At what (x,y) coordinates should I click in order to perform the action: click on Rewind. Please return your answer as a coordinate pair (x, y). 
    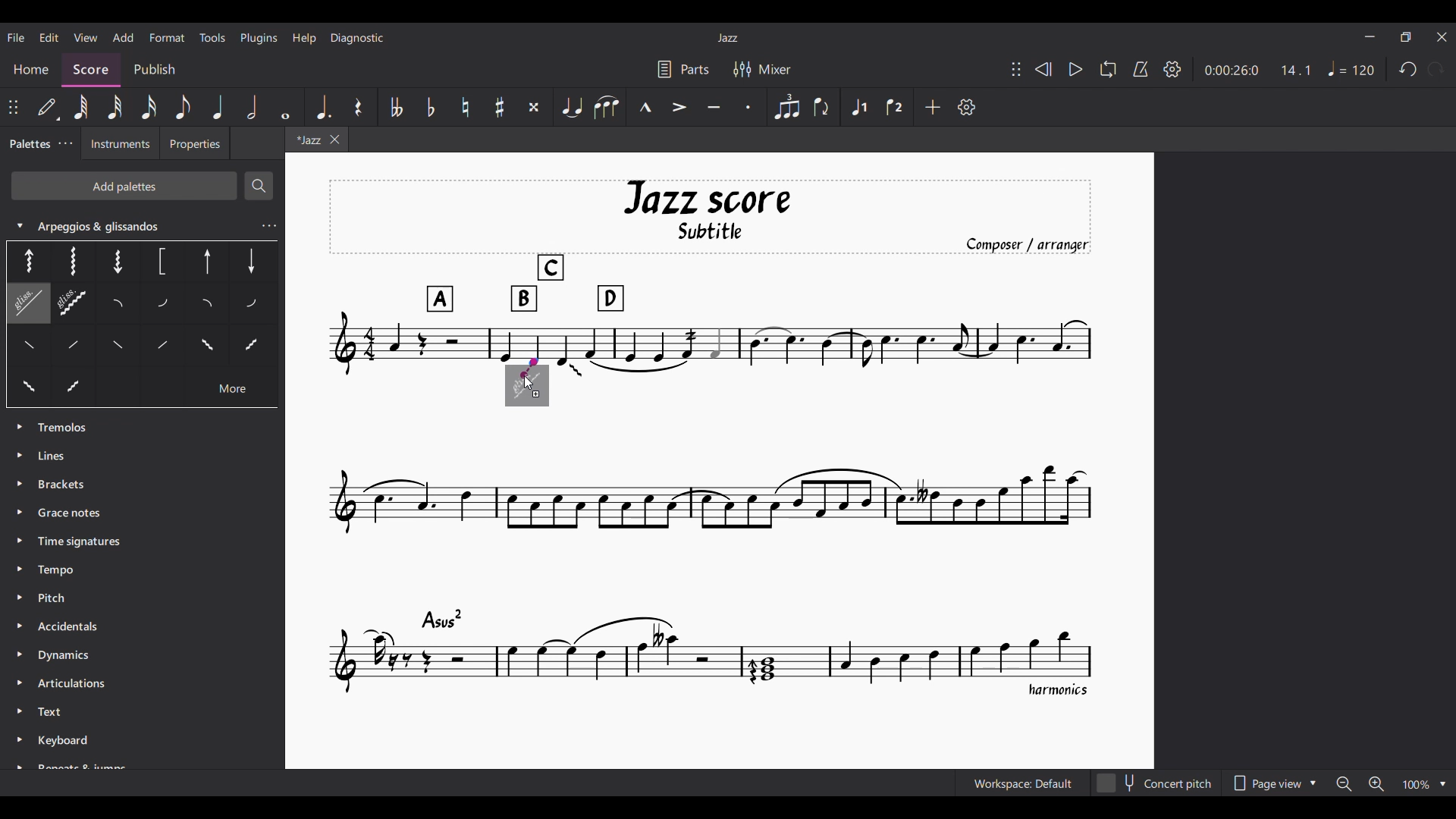
    Looking at the image, I should click on (1043, 69).